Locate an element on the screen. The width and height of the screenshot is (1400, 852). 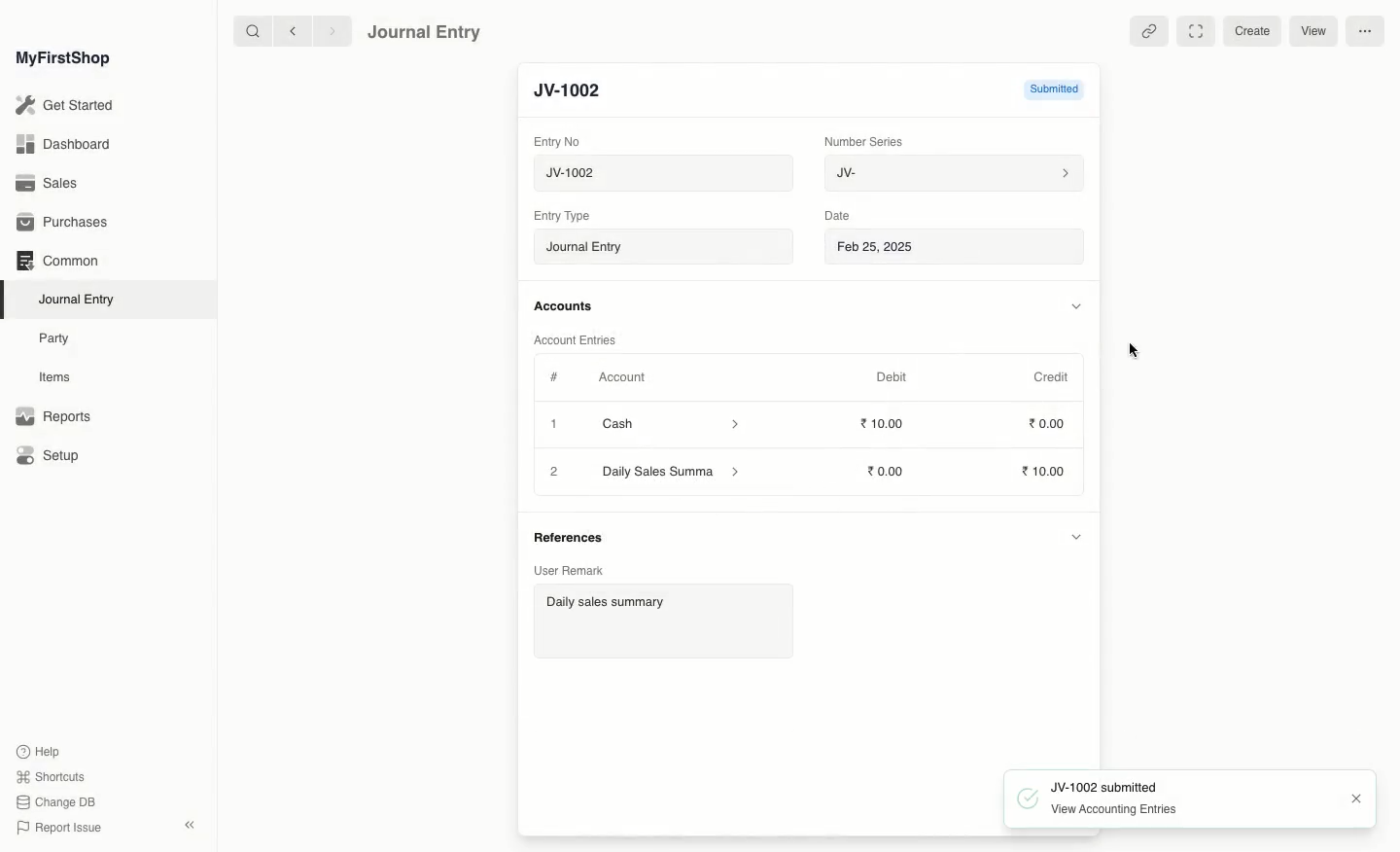
search is located at coordinates (248, 31).